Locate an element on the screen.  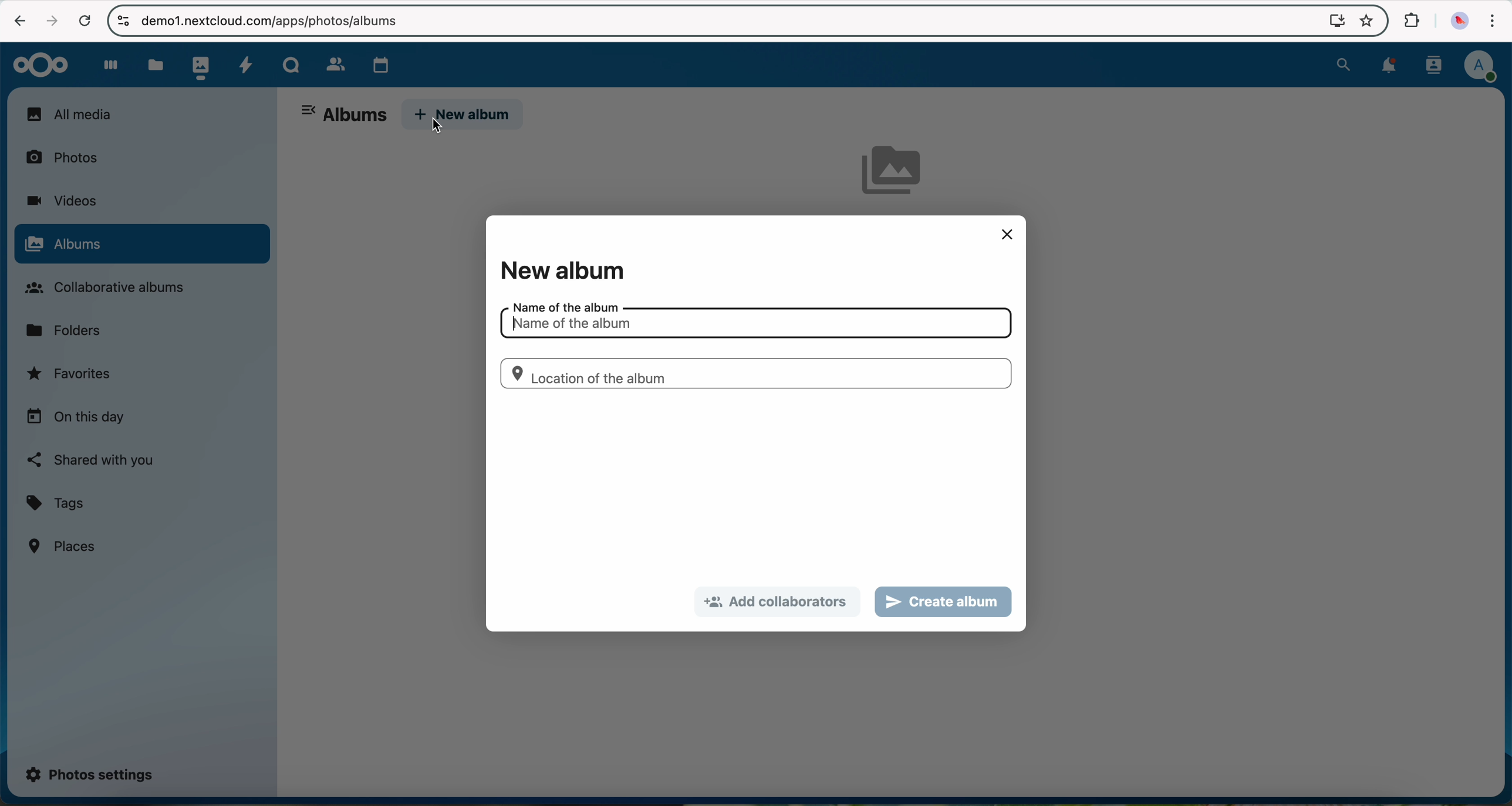
photos is located at coordinates (69, 156).